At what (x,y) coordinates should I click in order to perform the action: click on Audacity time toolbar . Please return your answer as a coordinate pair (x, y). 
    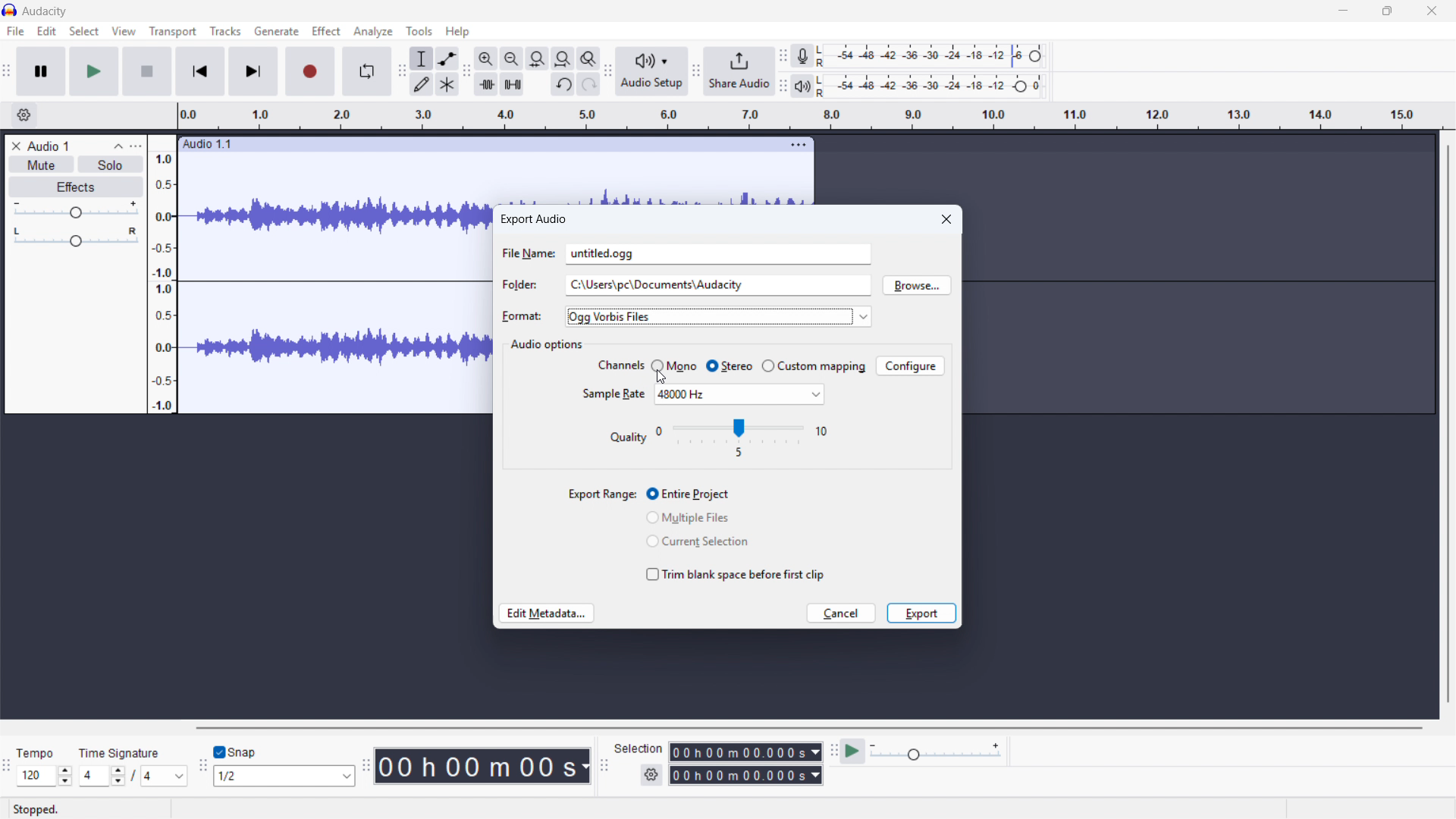
    Looking at the image, I should click on (366, 765).